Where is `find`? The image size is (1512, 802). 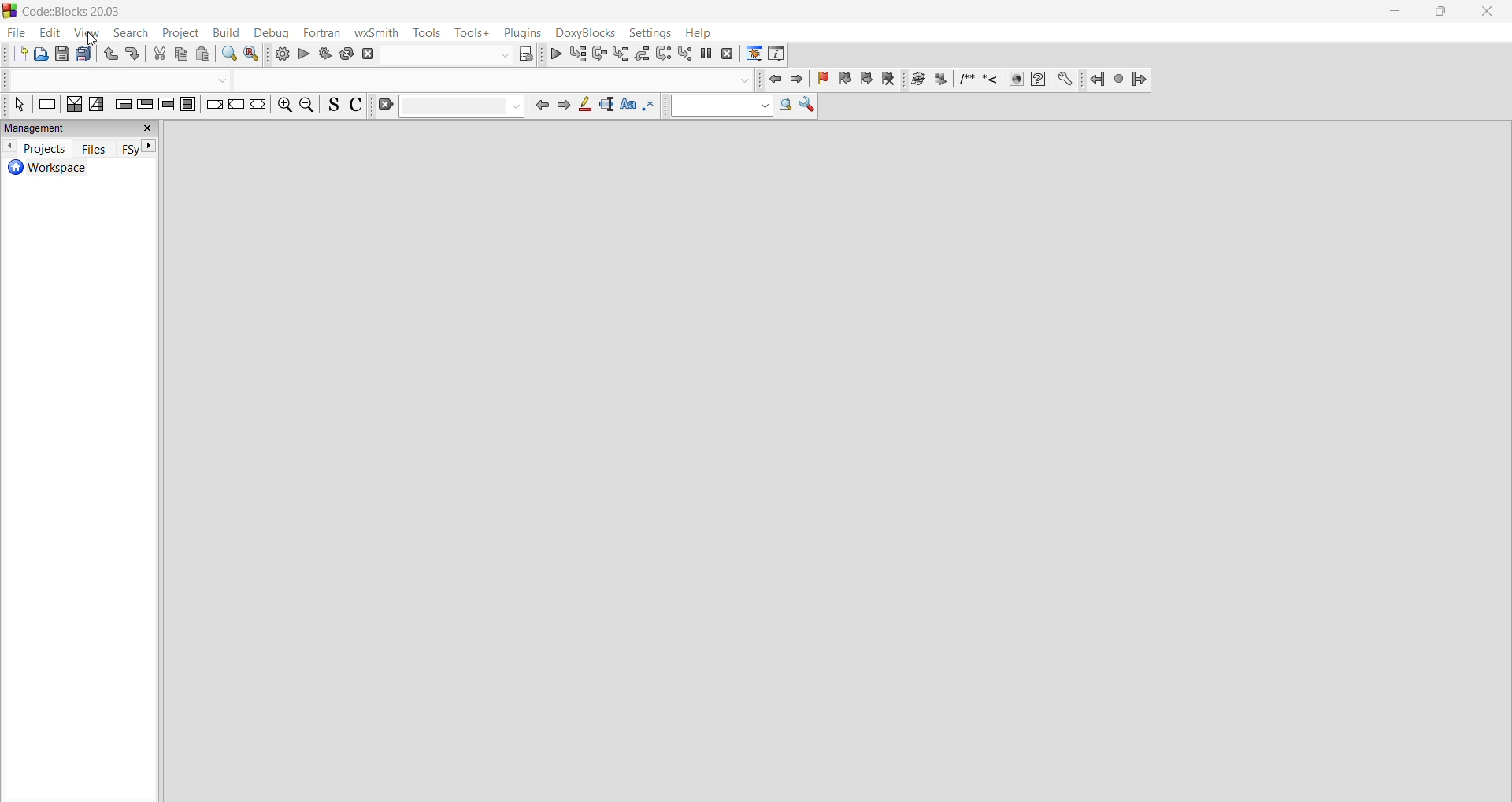 find is located at coordinates (230, 55).